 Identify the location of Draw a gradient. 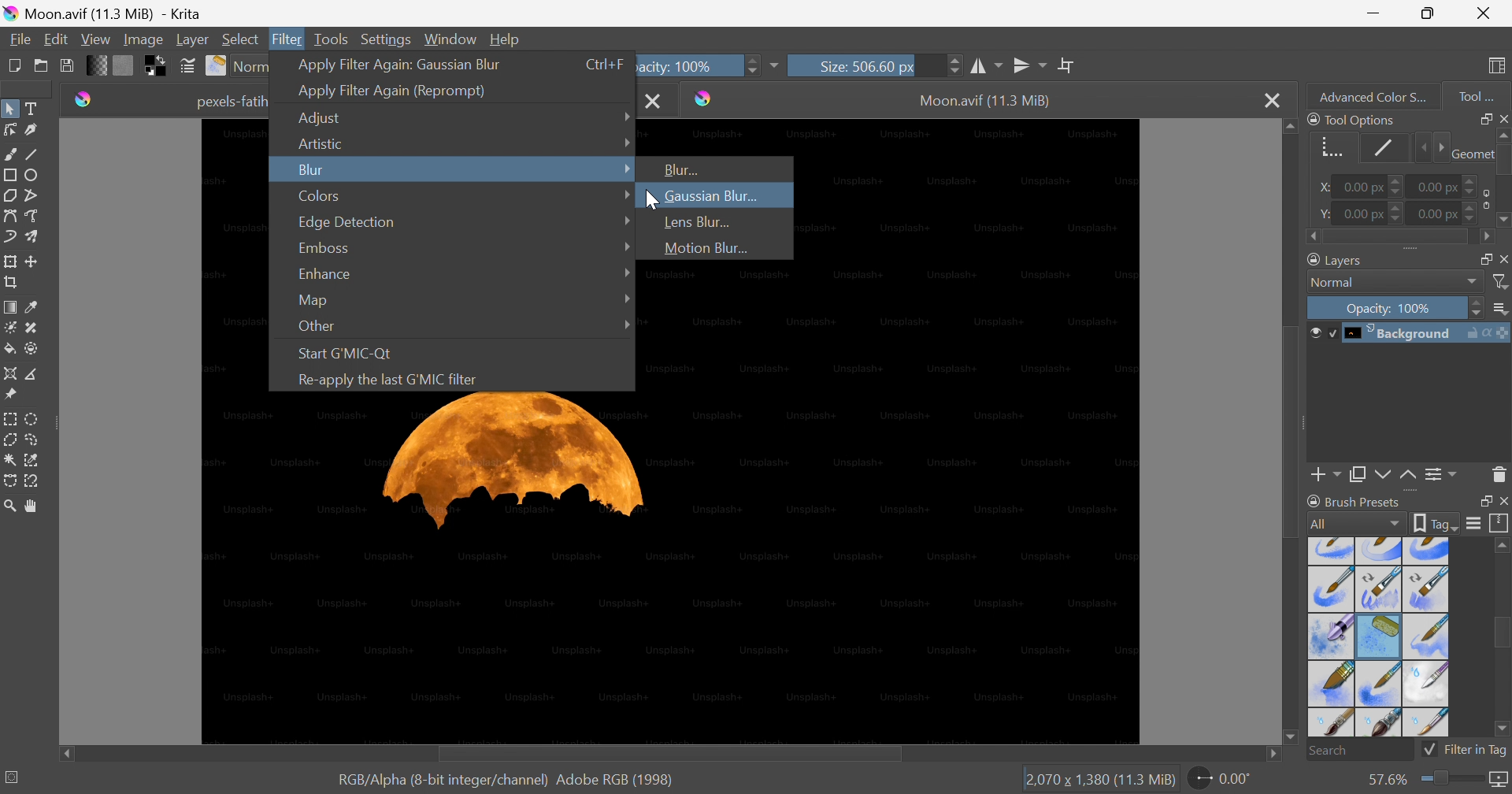
(9, 305).